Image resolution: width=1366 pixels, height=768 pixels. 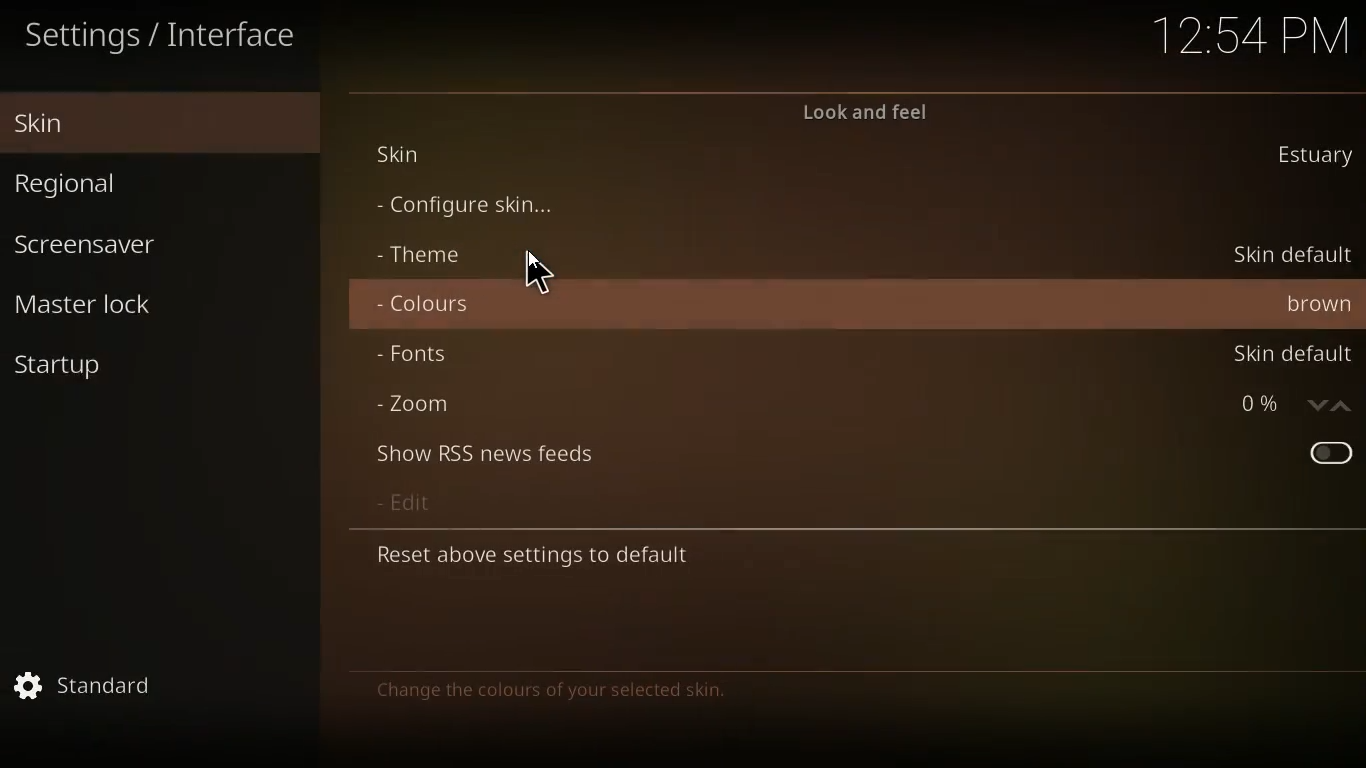 What do you see at coordinates (126, 242) in the screenshot?
I see `screensaver` at bounding box center [126, 242].